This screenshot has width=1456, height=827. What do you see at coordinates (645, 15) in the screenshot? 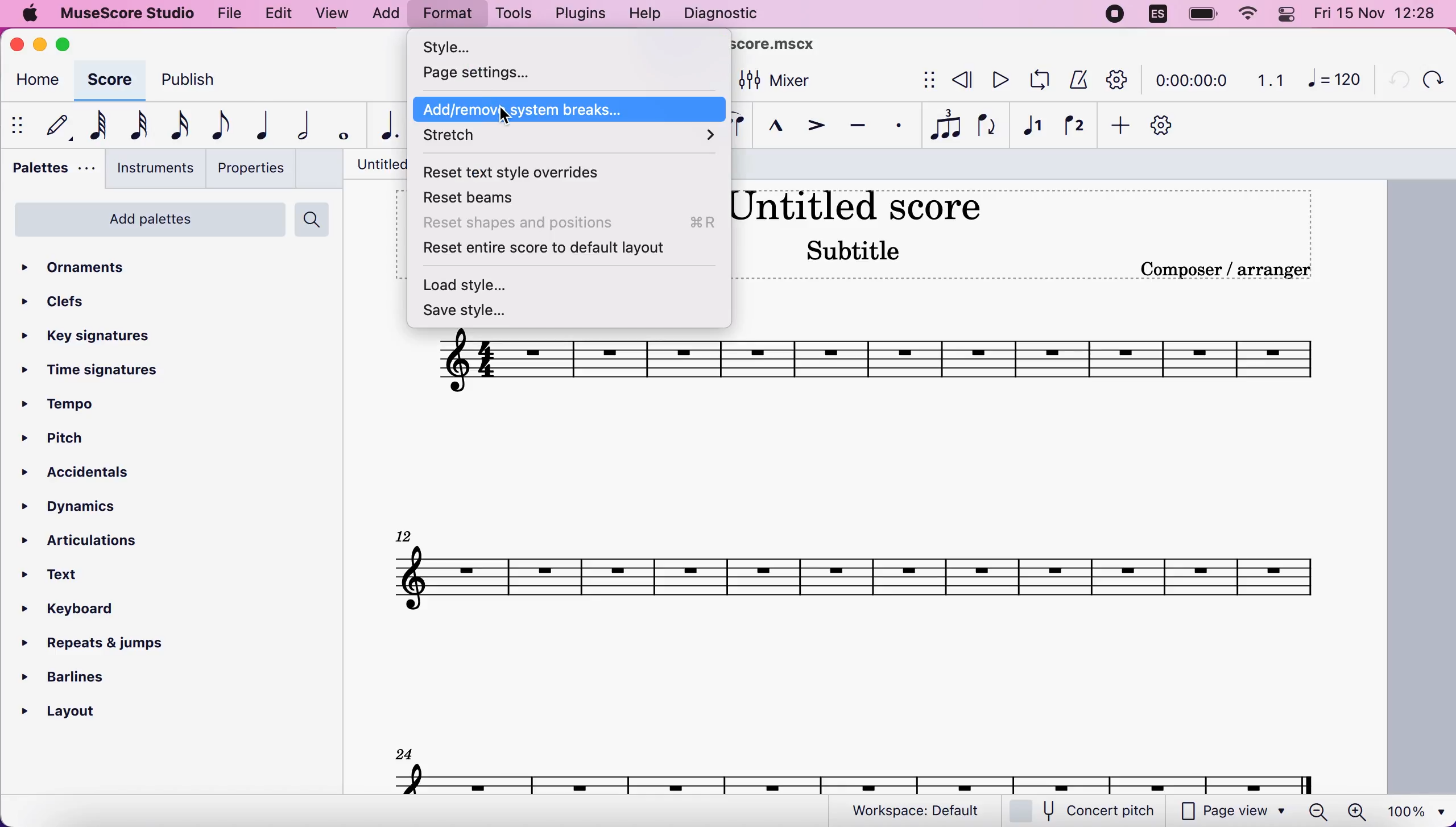
I see `help` at bounding box center [645, 15].